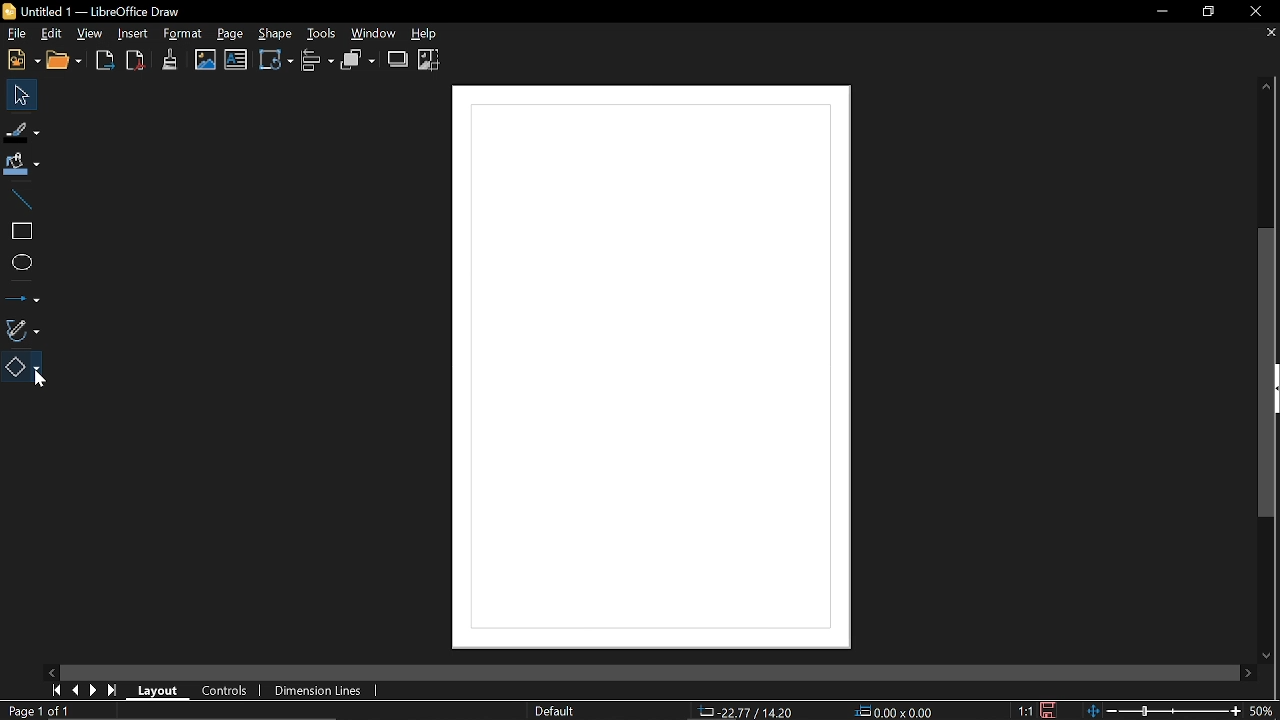 The width and height of the screenshot is (1280, 720). What do you see at coordinates (19, 94) in the screenshot?
I see `Select` at bounding box center [19, 94].